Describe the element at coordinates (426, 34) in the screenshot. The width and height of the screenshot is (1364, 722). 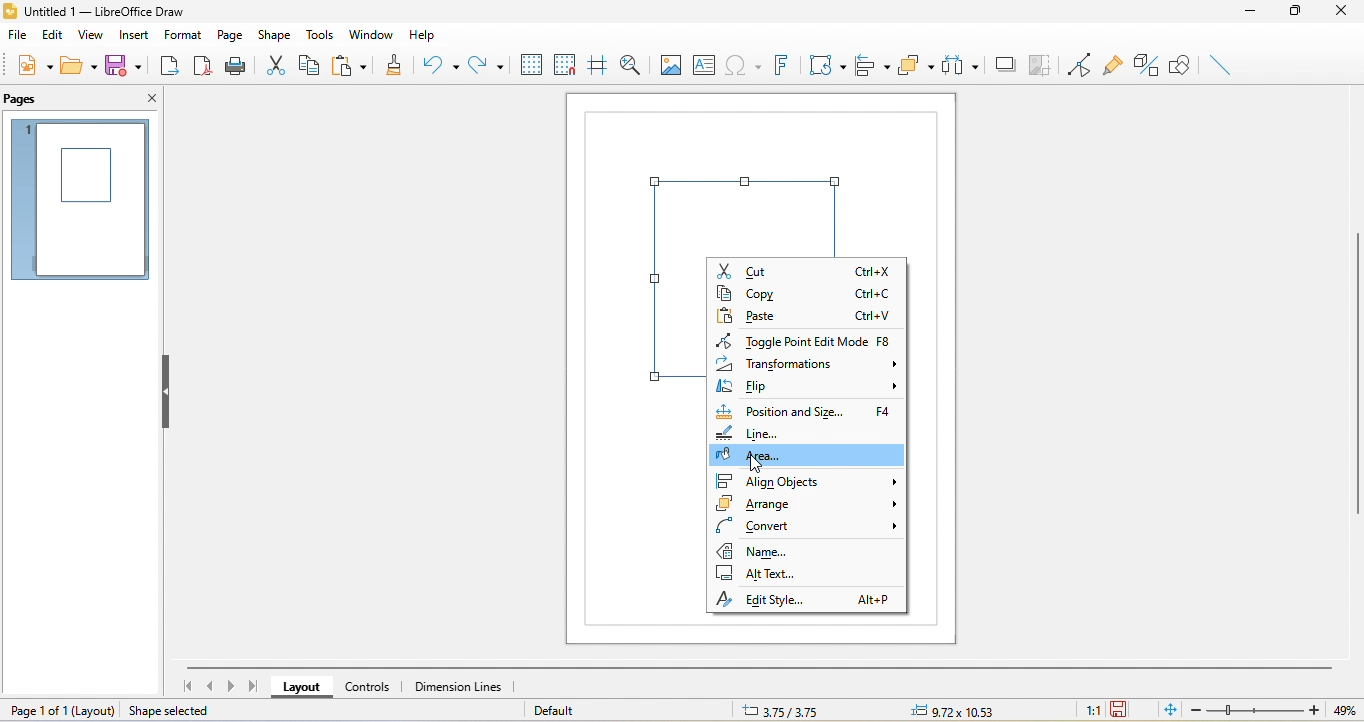
I see `help` at that location.